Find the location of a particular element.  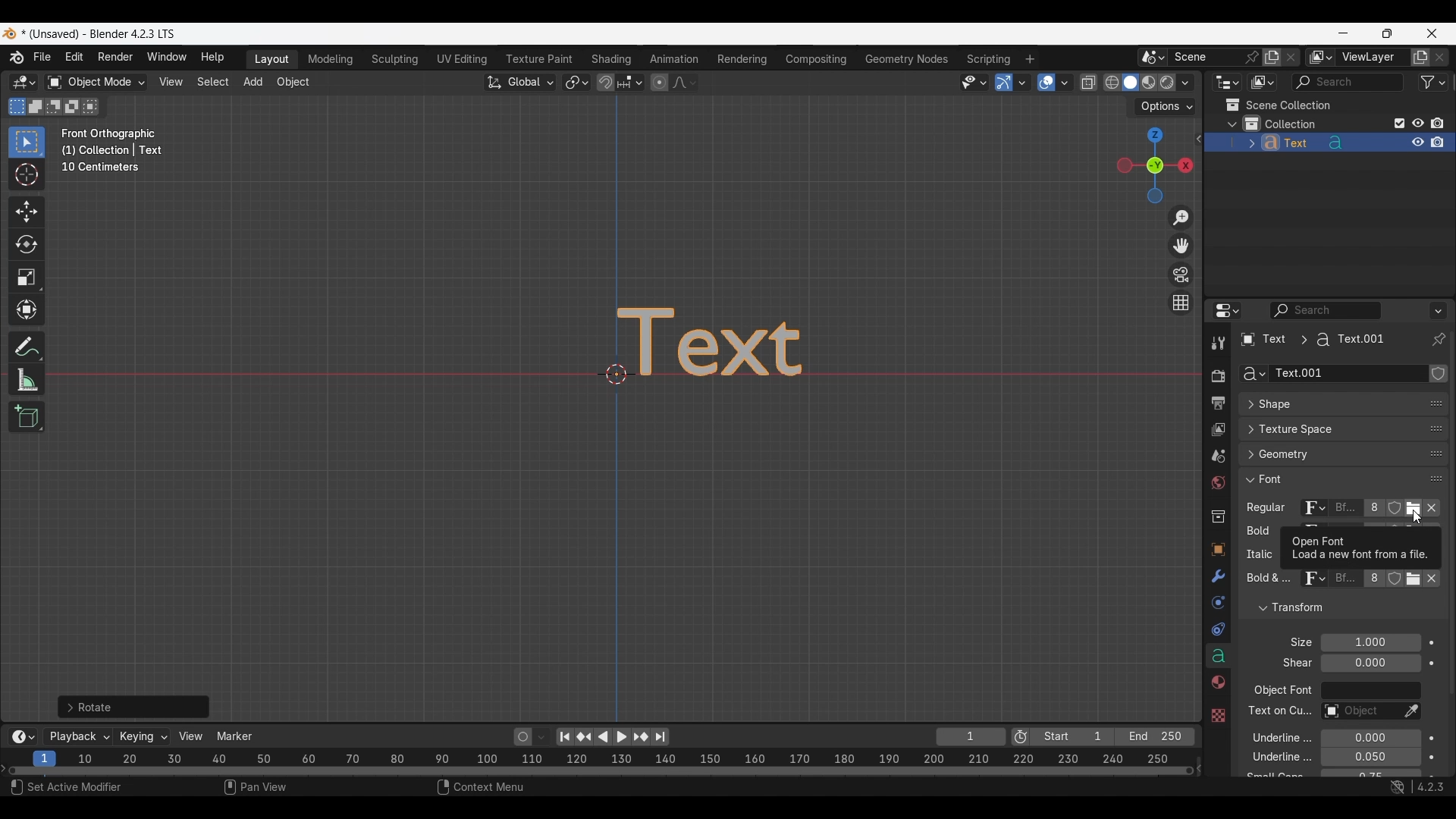

Transform pivot point is located at coordinates (576, 83).